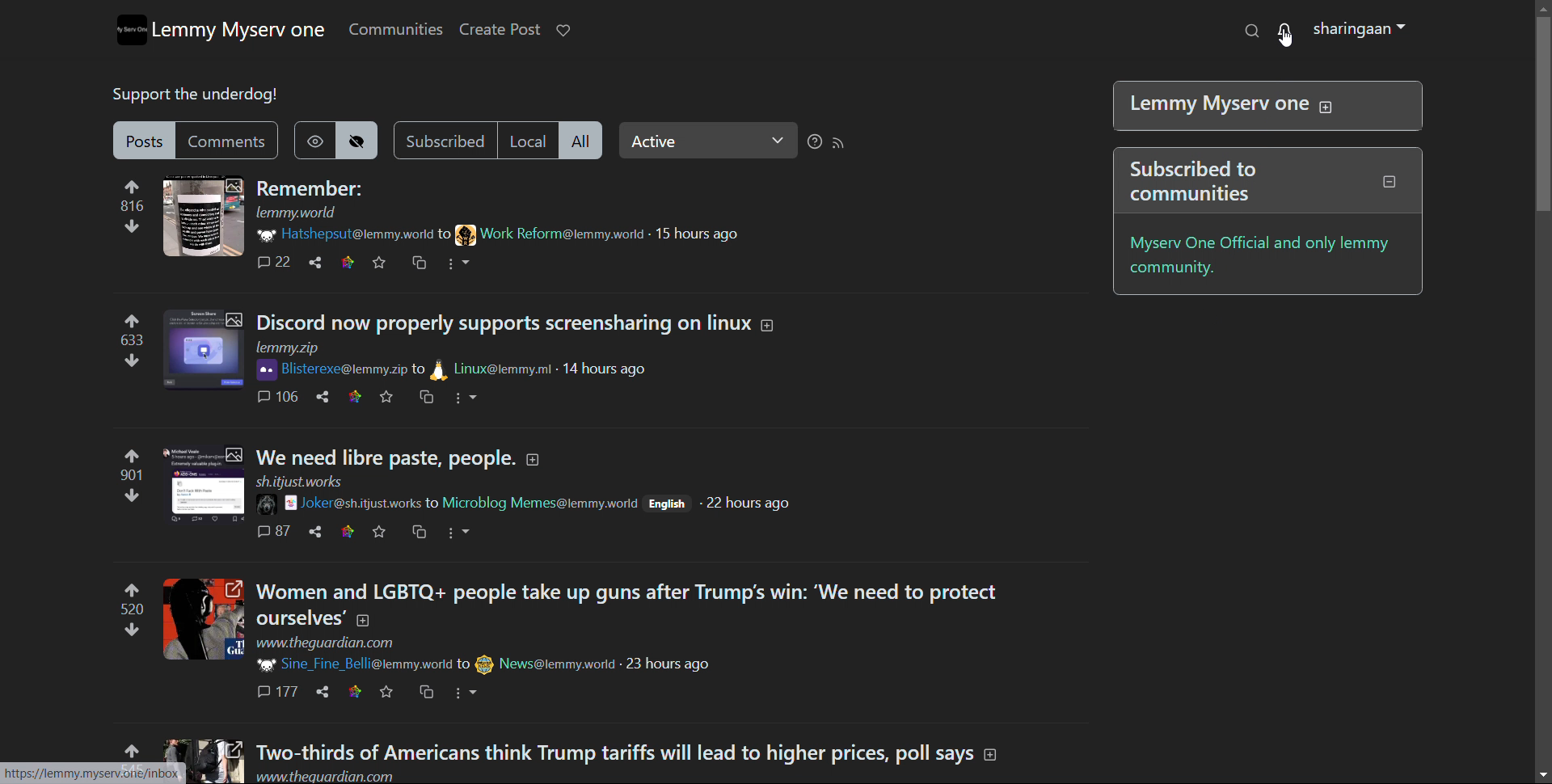 The width and height of the screenshot is (1552, 784). Describe the element at coordinates (329, 369) in the screenshot. I see `username` at that location.